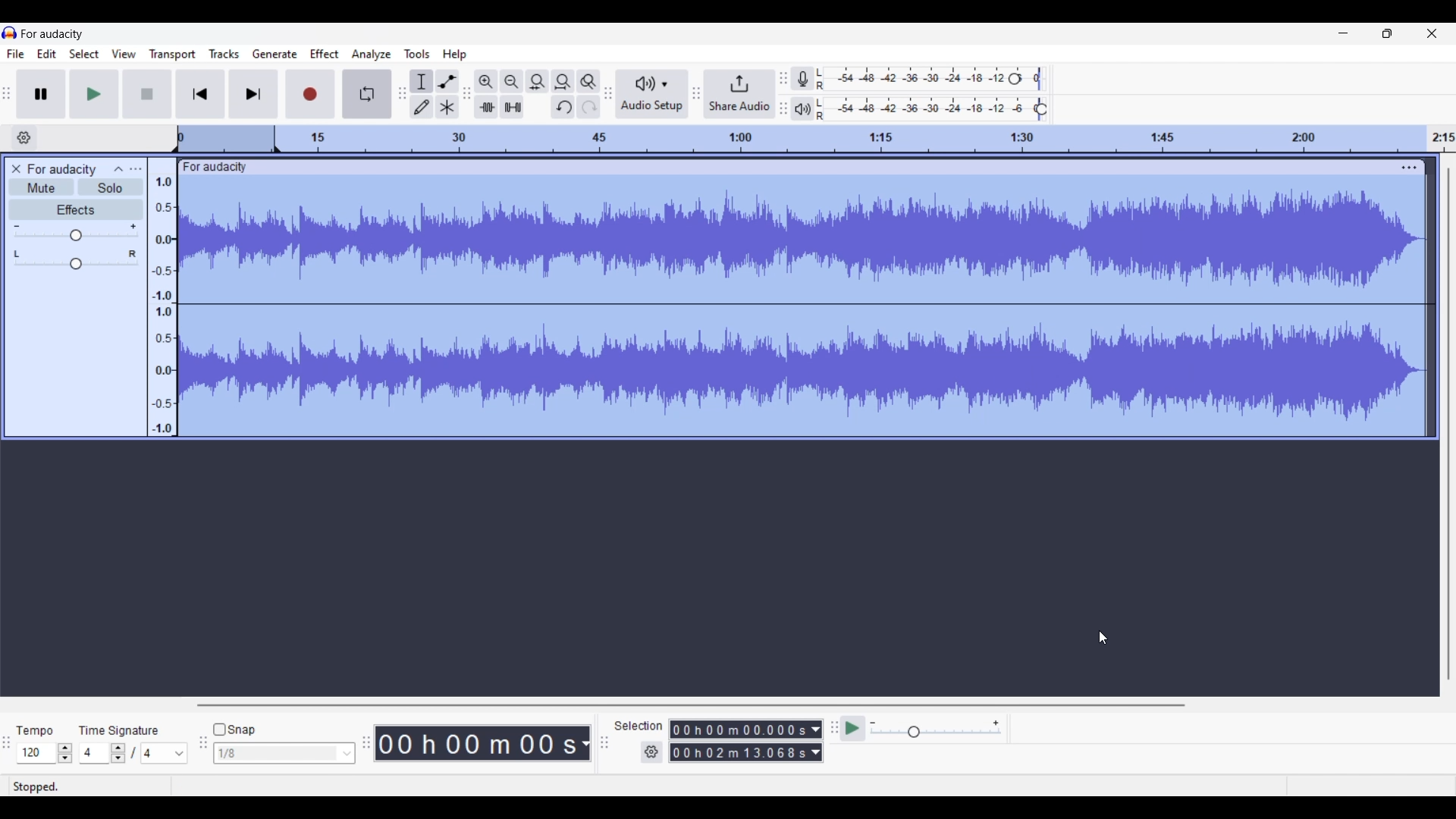  I want to click on Undo, so click(563, 106).